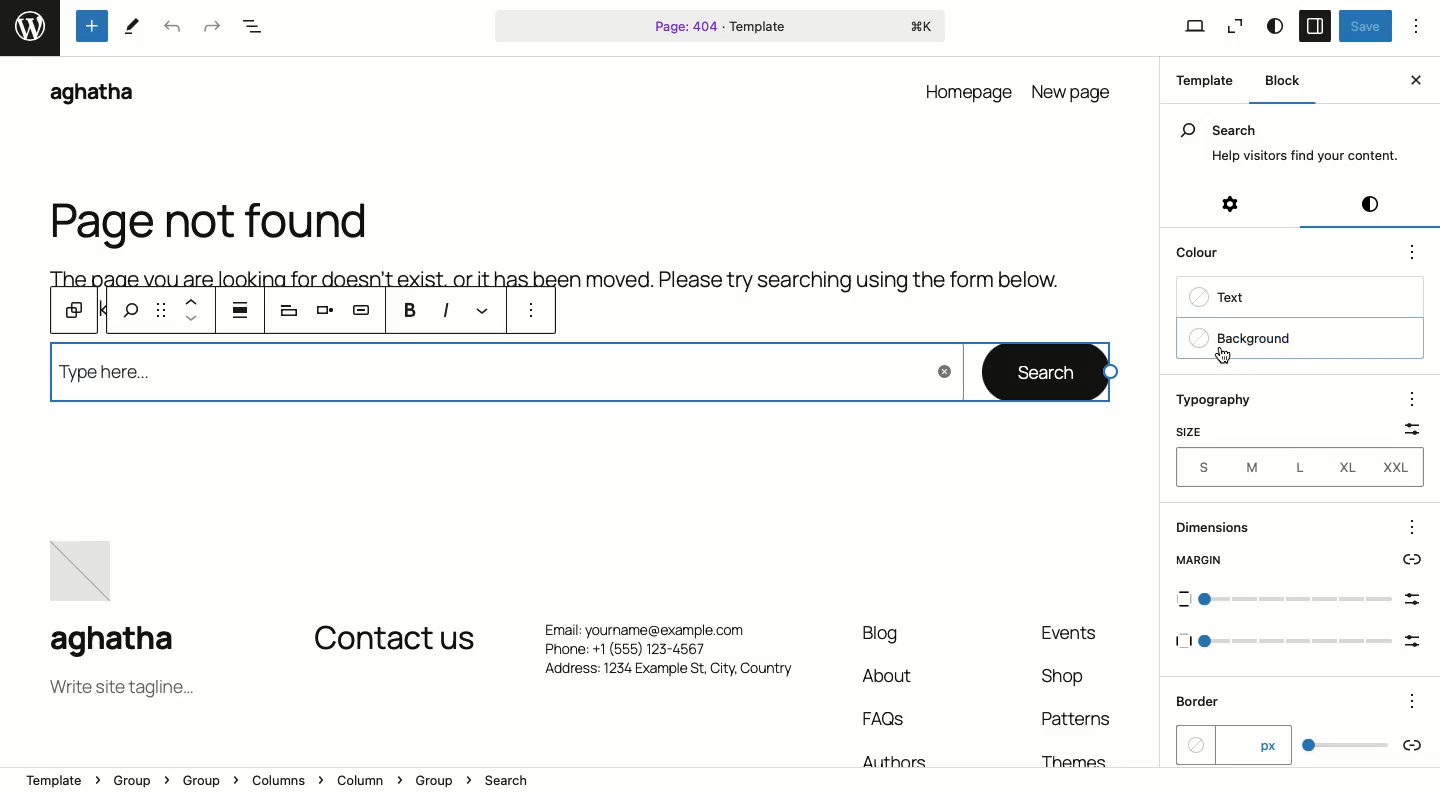 The image size is (1440, 792). What do you see at coordinates (721, 782) in the screenshot?
I see `Location` at bounding box center [721, 782].